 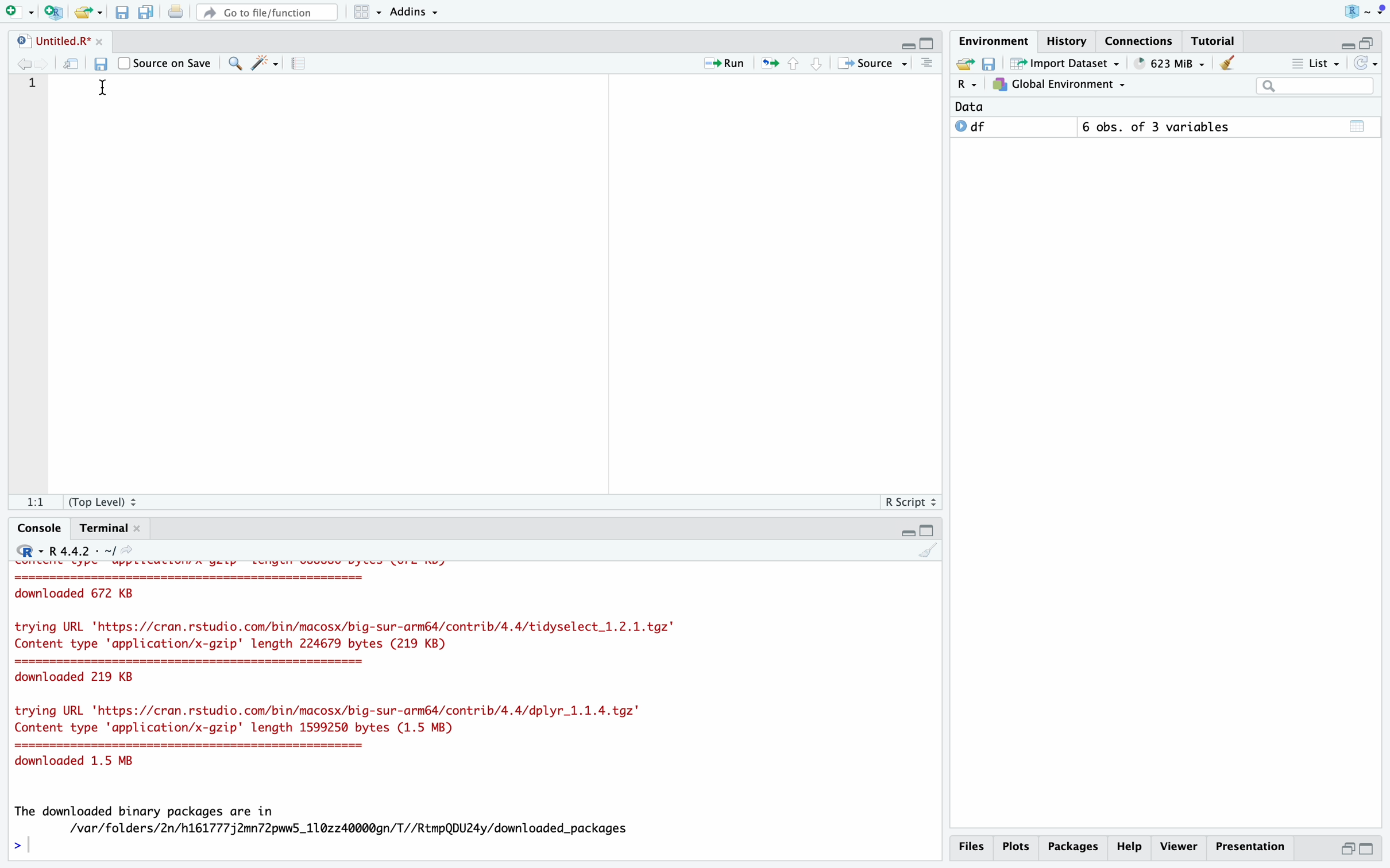 I want to click on Addins, so click(x=414, y=11).